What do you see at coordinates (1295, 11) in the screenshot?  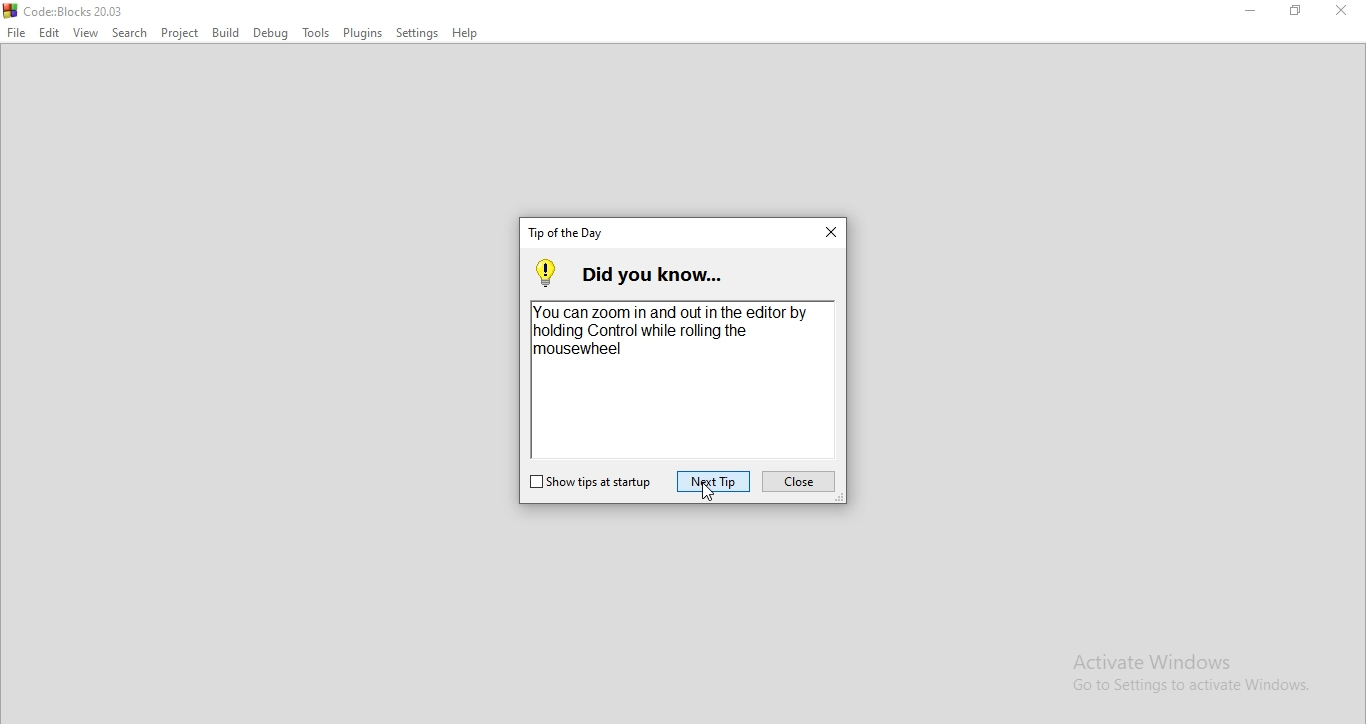 I see `Restore` at bounding box center [1295, 11].